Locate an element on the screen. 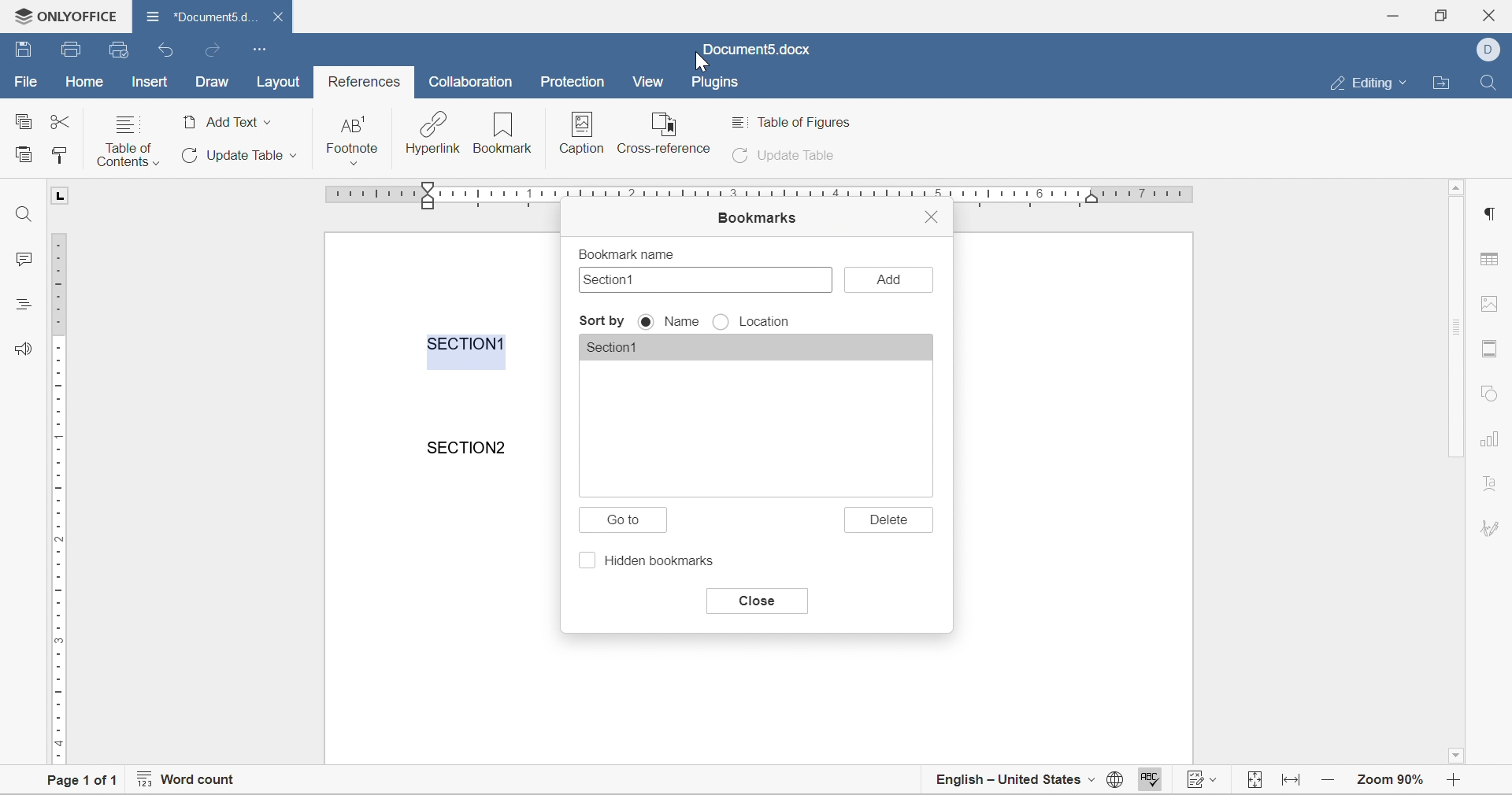  file is located at coordinates (24, 82).